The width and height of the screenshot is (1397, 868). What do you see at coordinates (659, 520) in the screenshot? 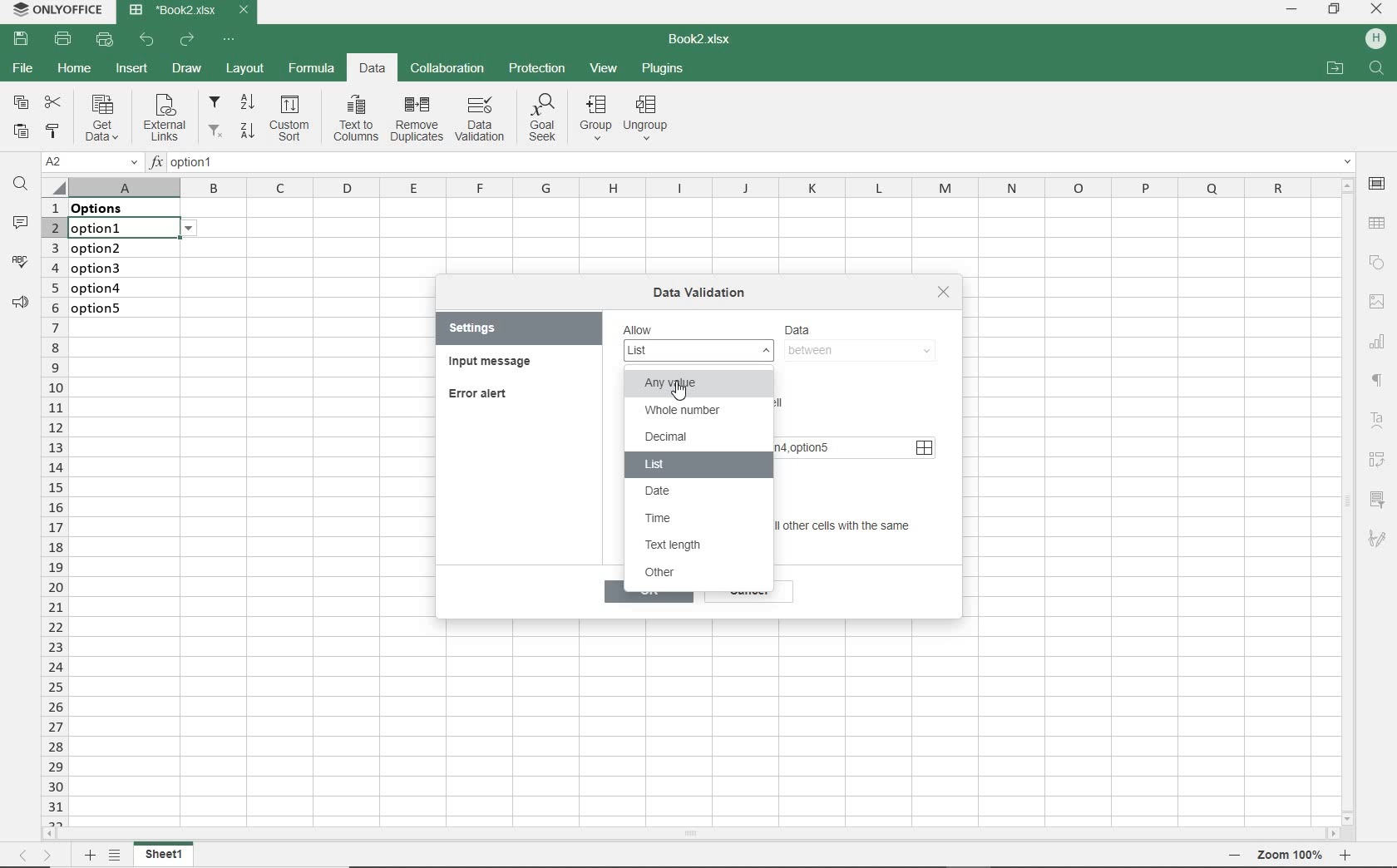
I see `time` at bounding box center [659, 520].